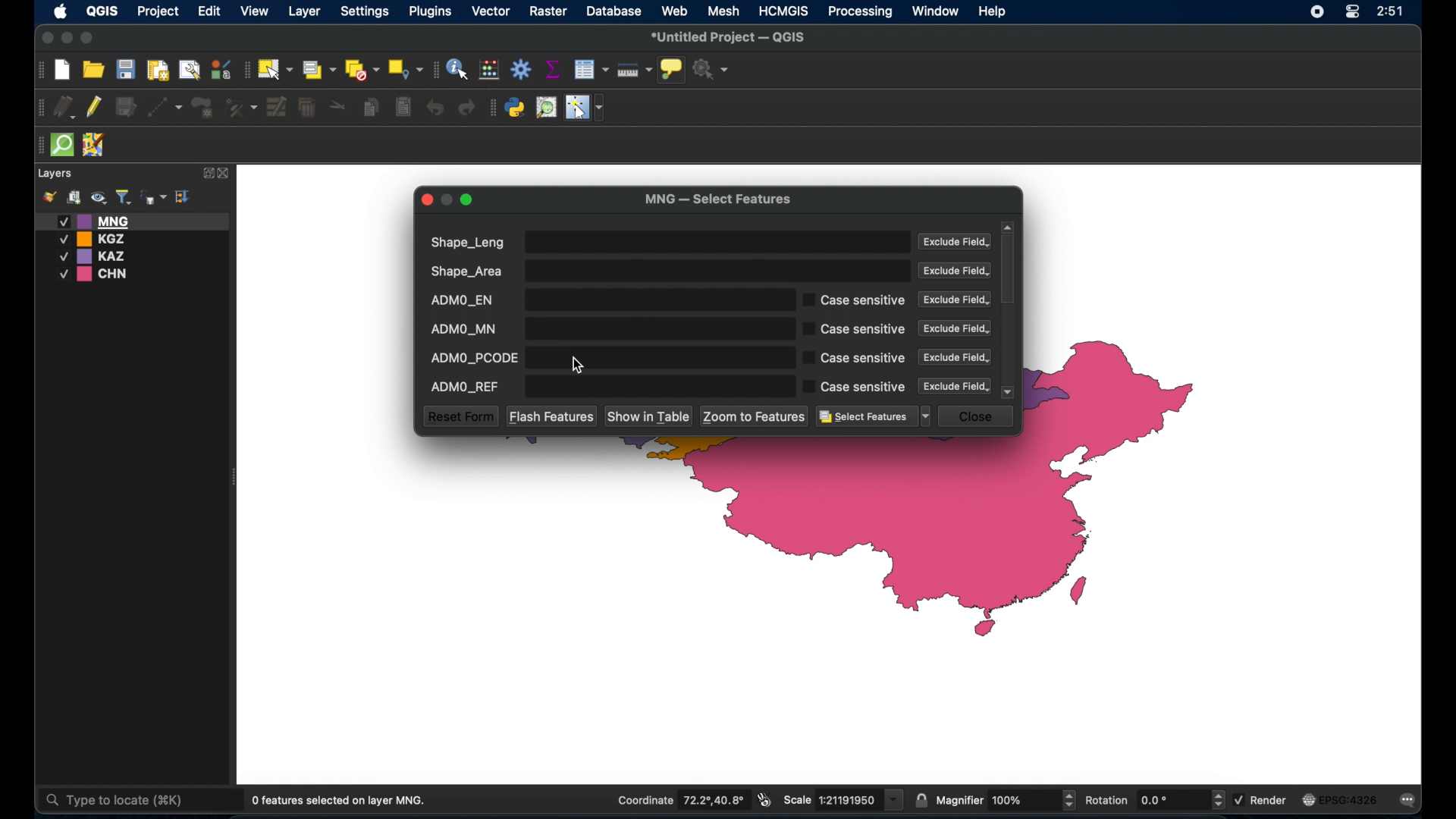  Describe the element at coordinates (434, 108) in the screenshot. I see `undo` at that location.